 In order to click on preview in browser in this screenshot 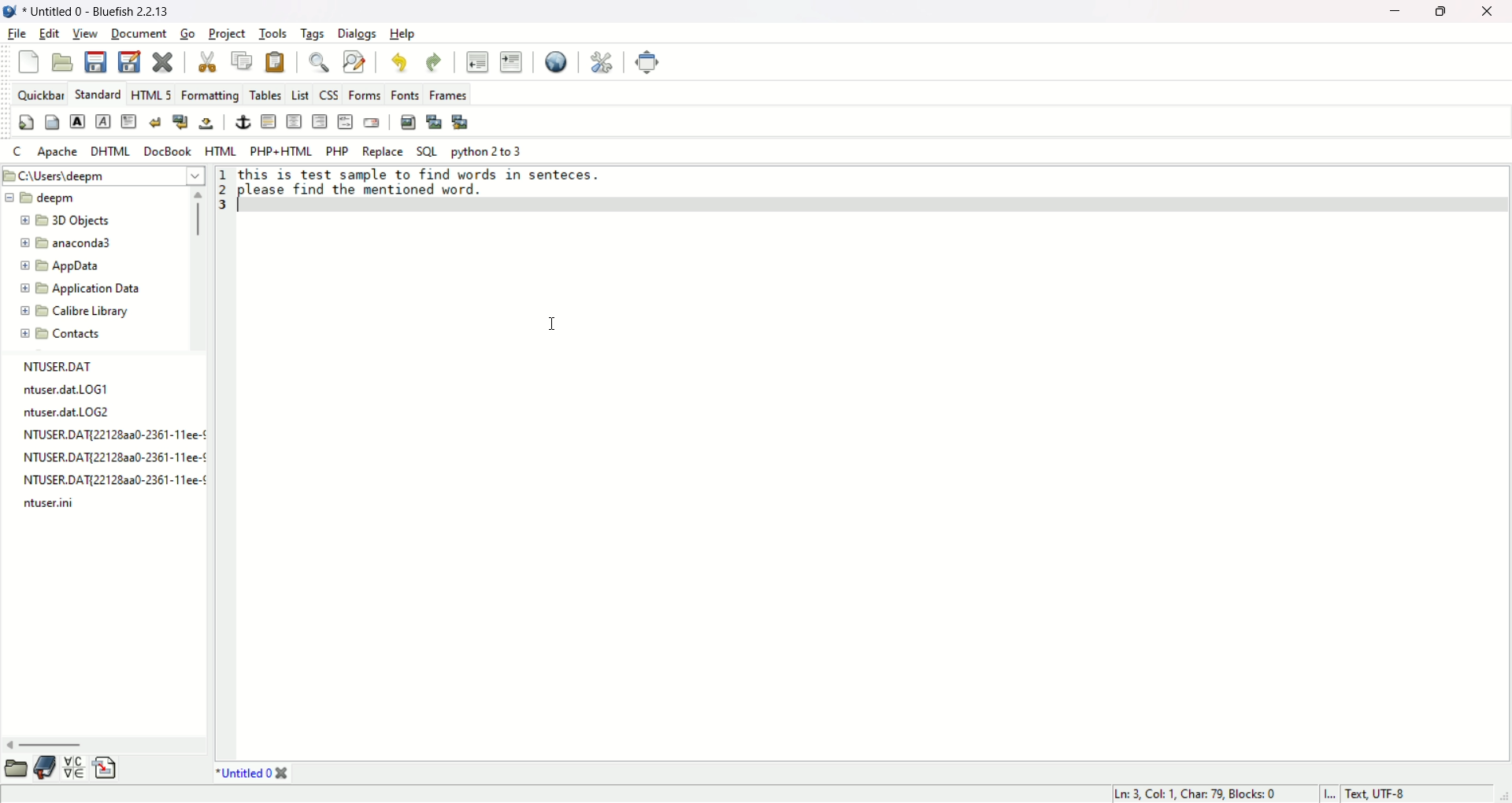, I will do `click(556, 61)`.